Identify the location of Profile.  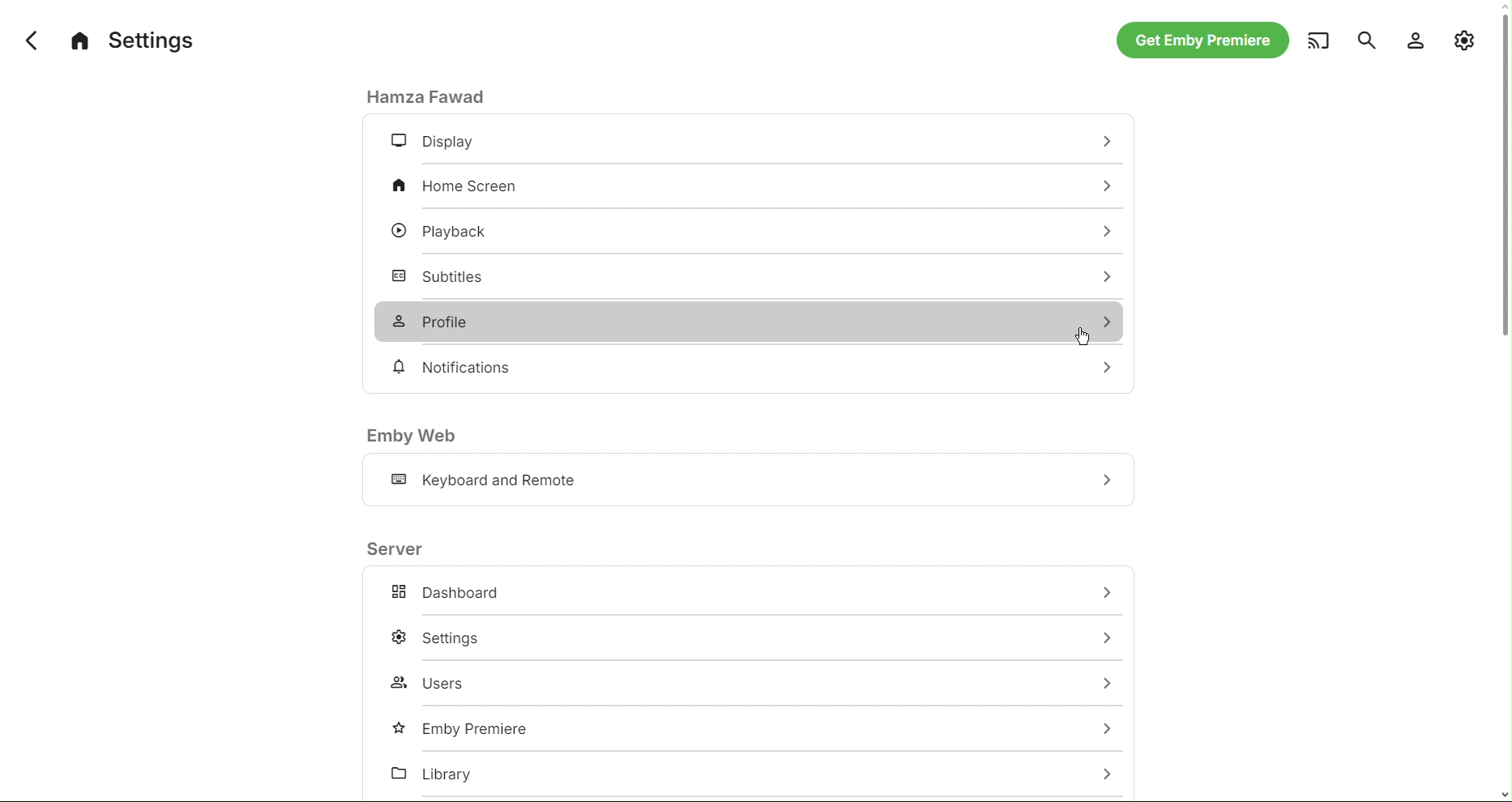
(440, 320).